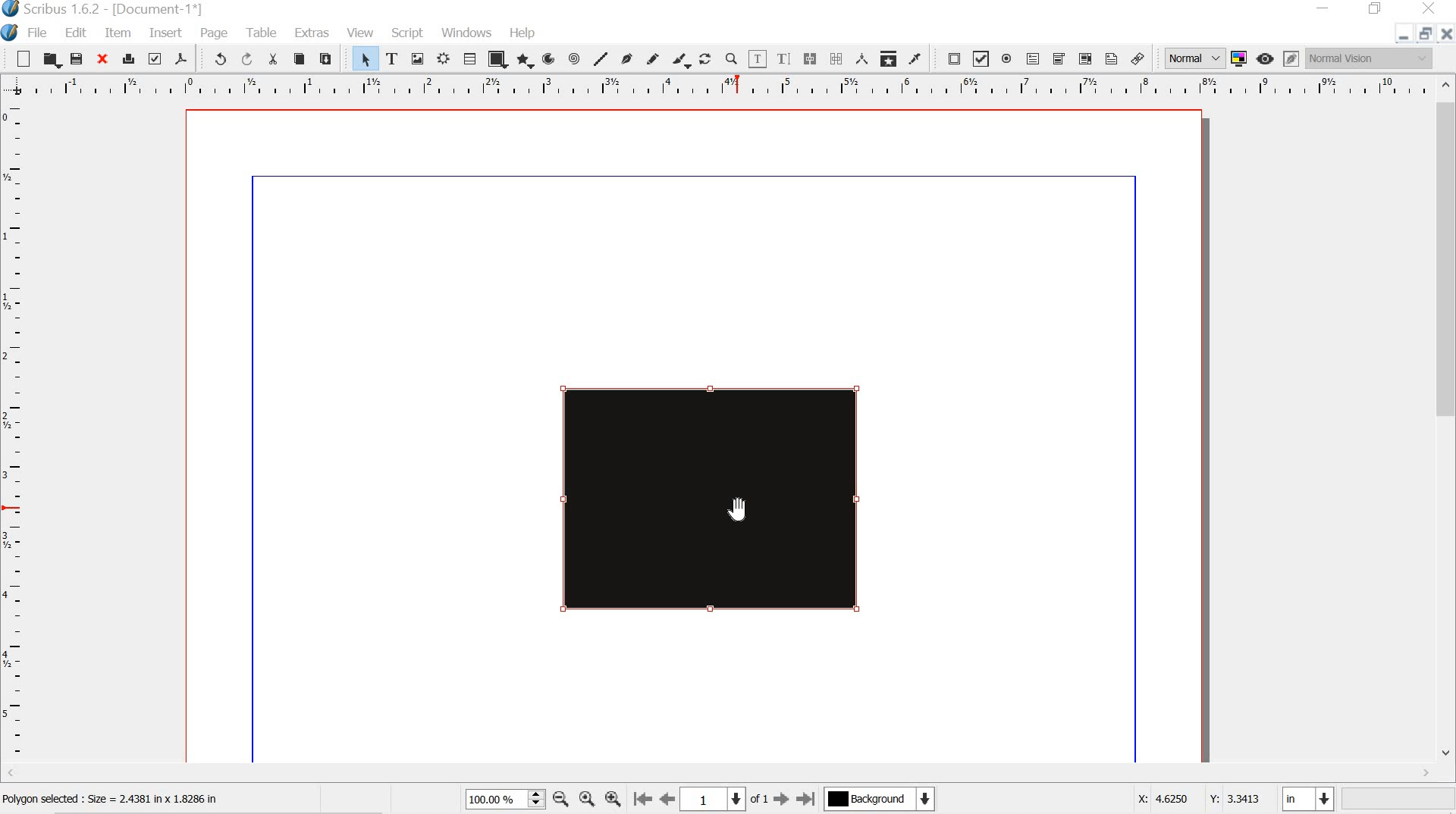  Describe the element at coordinates (782, 800) in the screenshot. I see `go to next page` at that location.